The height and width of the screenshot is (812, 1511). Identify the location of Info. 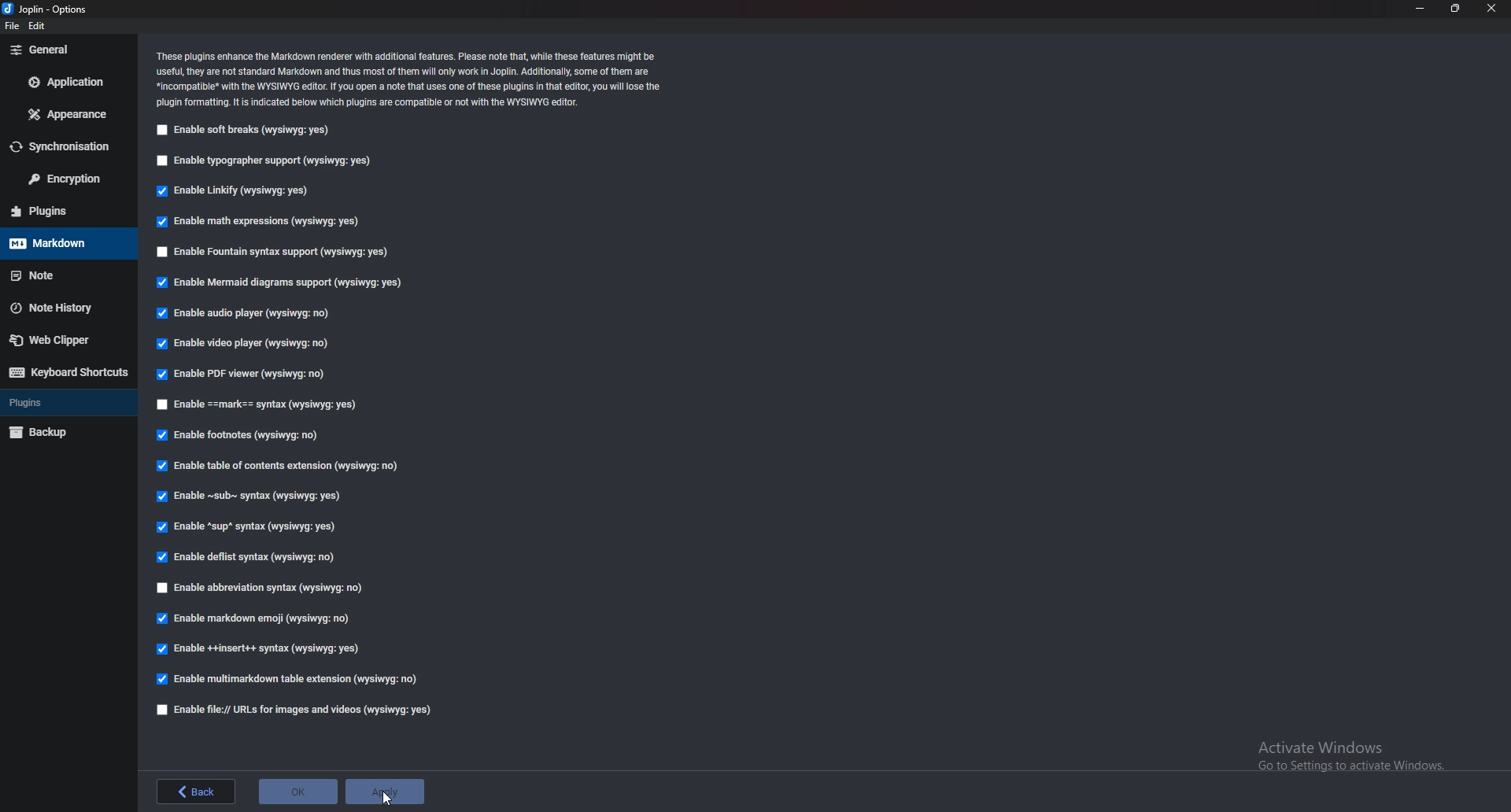
(412, 80).